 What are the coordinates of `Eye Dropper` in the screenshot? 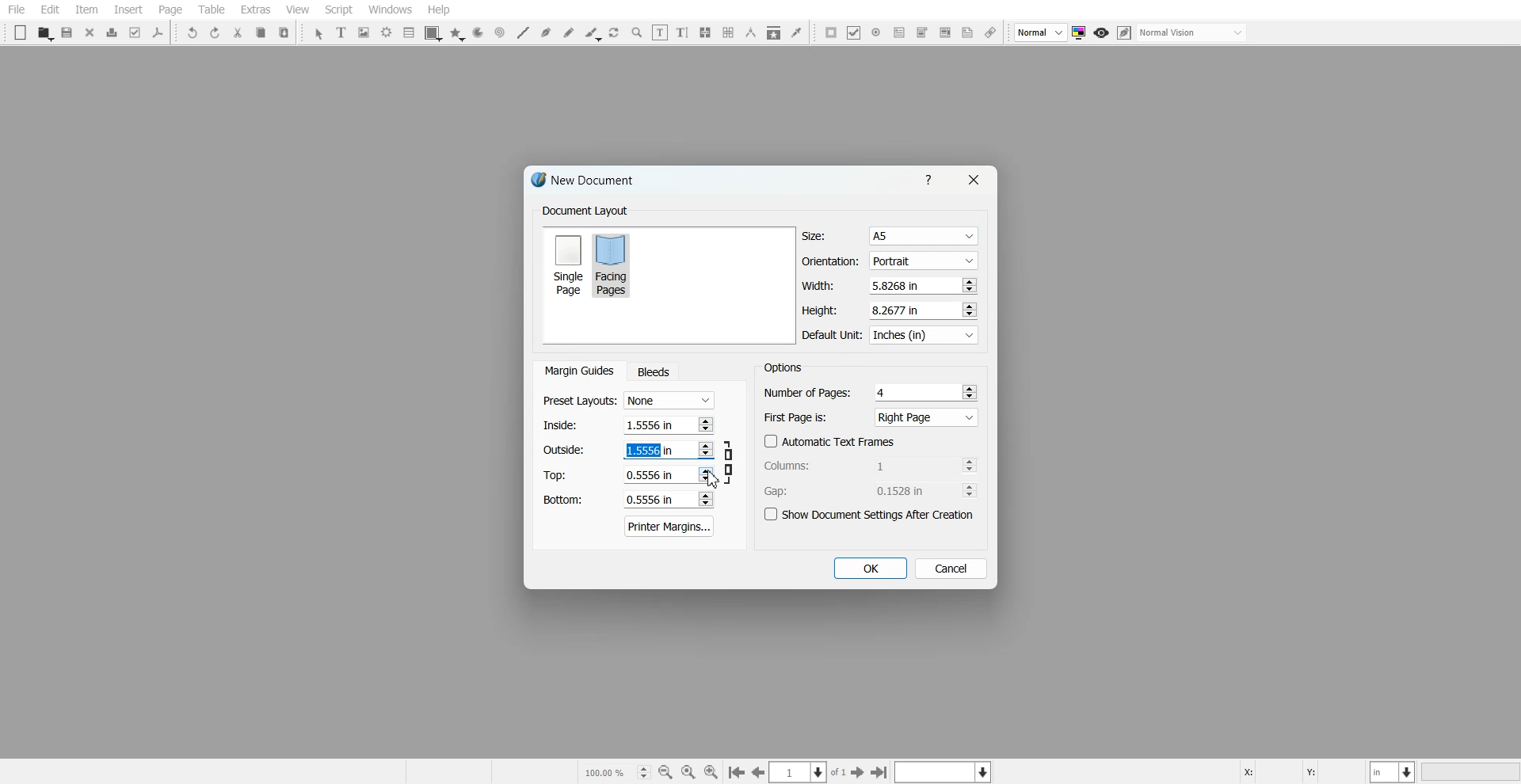 It's located at (796, 32).